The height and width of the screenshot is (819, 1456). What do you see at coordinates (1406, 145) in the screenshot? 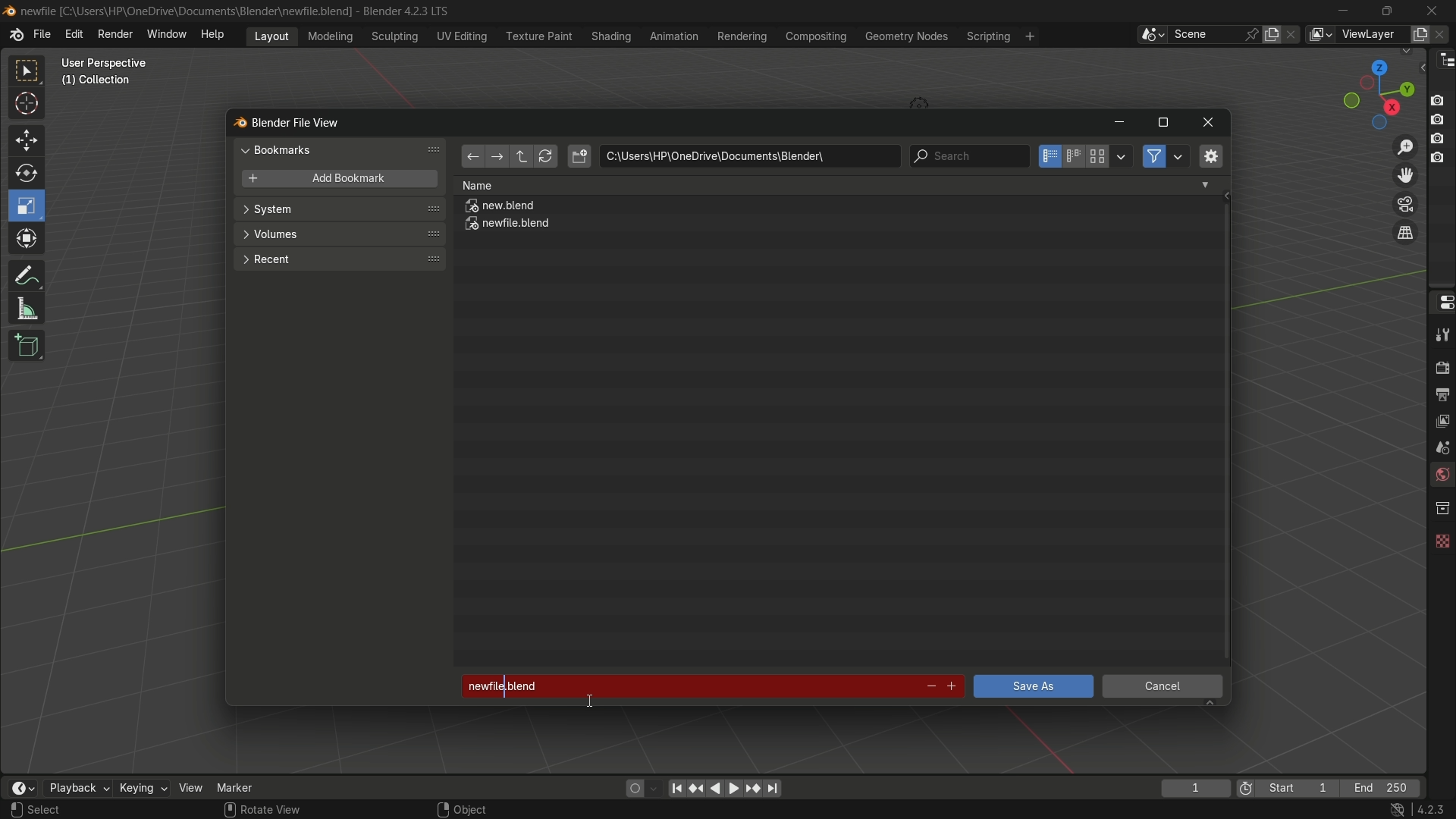
I see `zoom in/out` at bounding box center [1406, 145].